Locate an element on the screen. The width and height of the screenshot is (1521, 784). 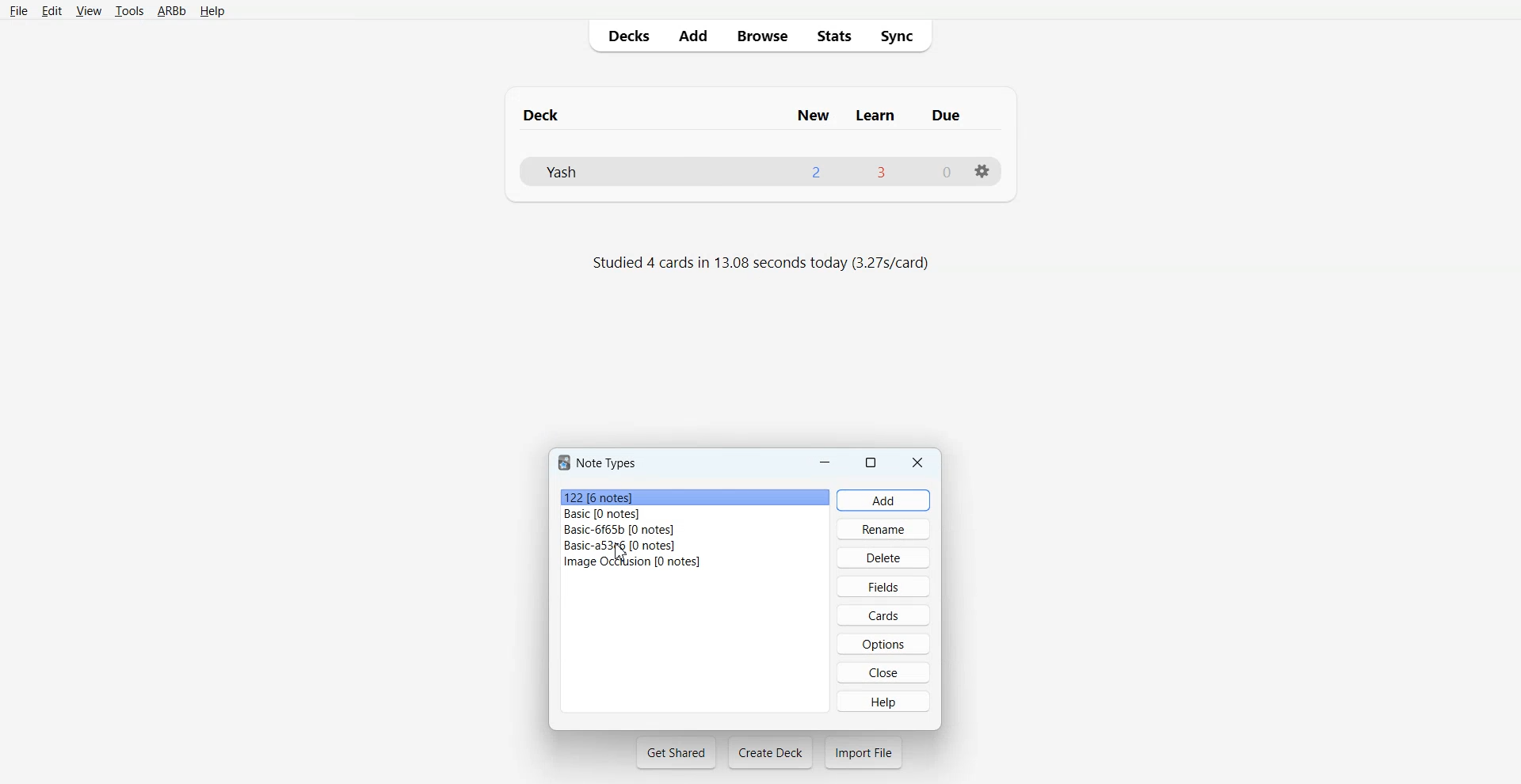
Sync is located at coordinates (902, 35).